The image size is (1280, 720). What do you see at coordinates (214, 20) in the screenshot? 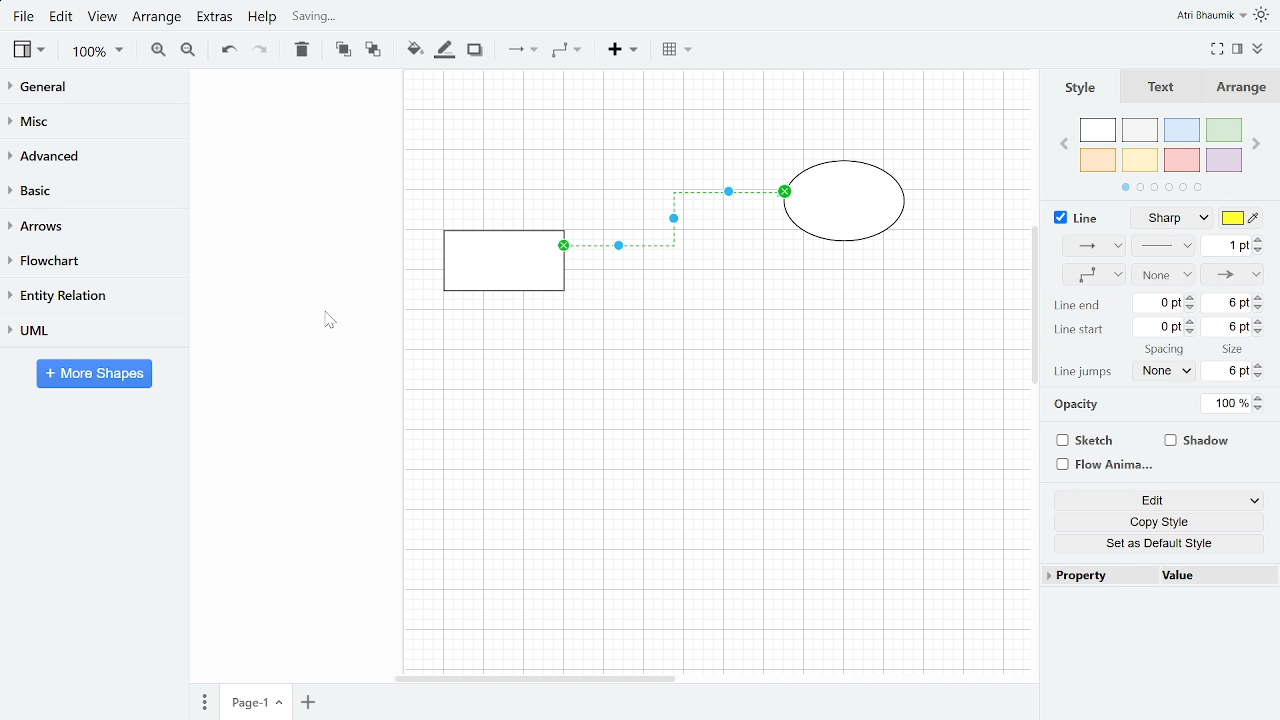
I see `Extras` at bounding box center [214, 20].